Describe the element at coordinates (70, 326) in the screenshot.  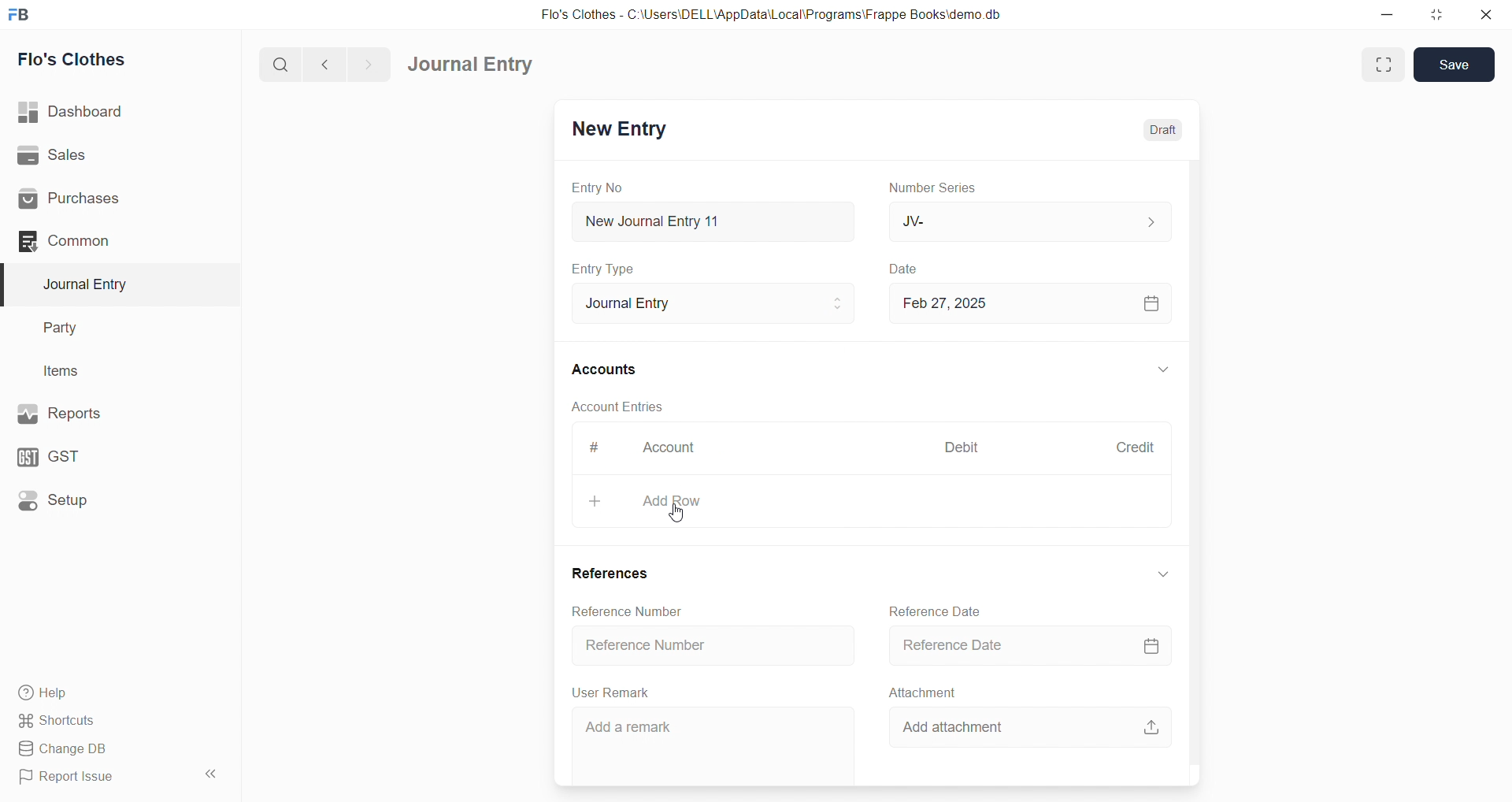
I see `Party` at that location.